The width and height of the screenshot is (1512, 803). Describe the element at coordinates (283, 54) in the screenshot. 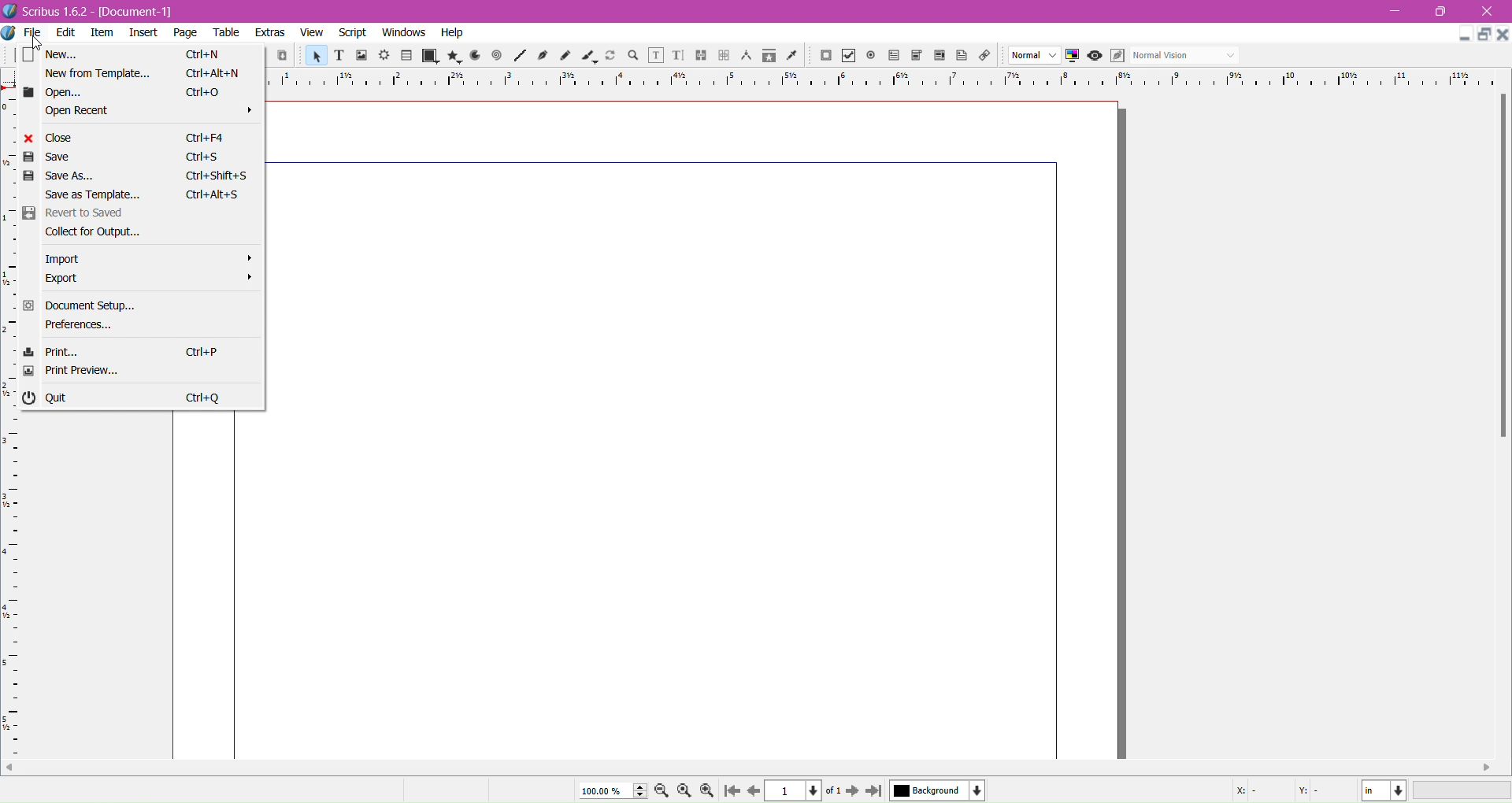

I see `Paste` at that location.